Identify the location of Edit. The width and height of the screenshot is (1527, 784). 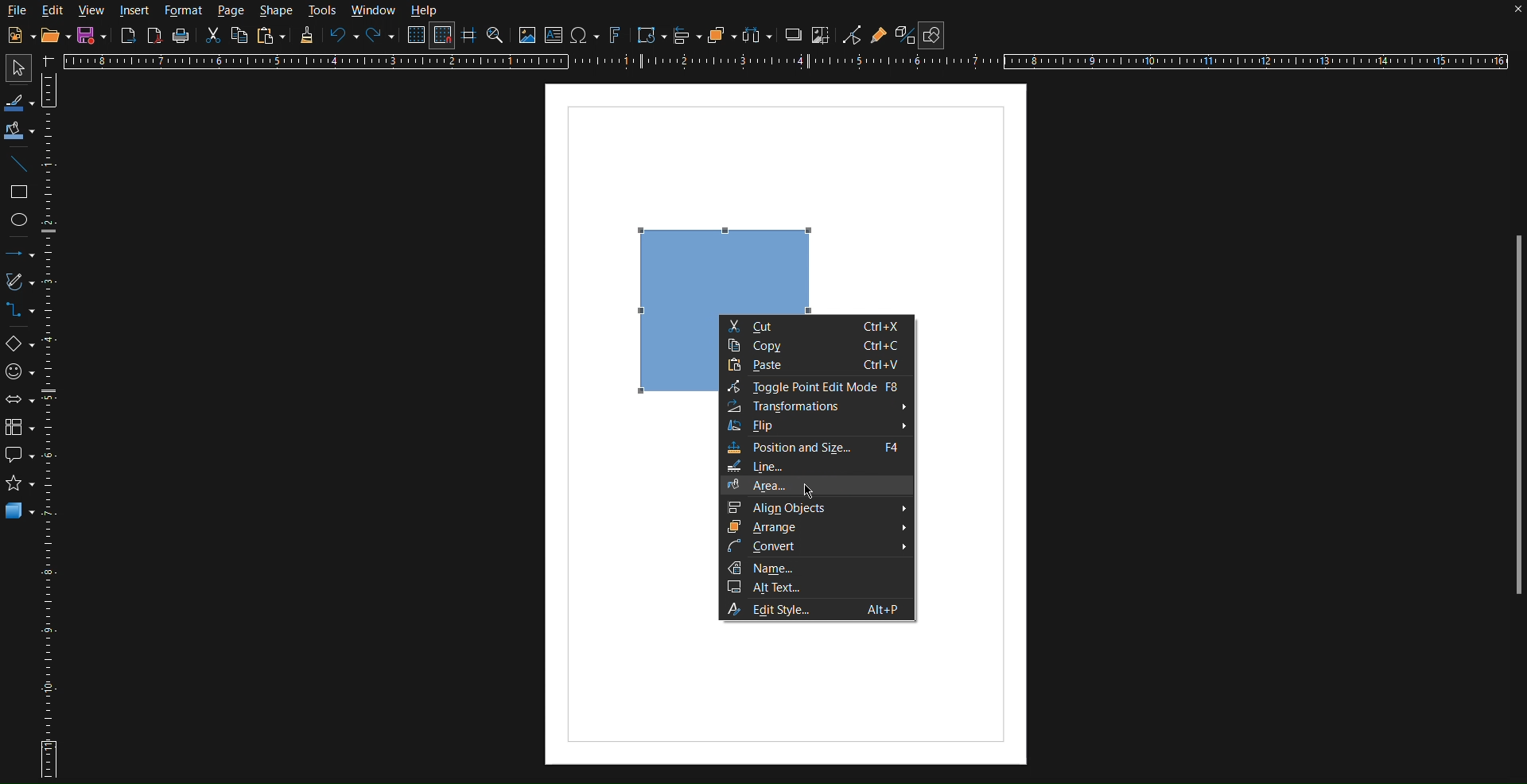
(55, 10).